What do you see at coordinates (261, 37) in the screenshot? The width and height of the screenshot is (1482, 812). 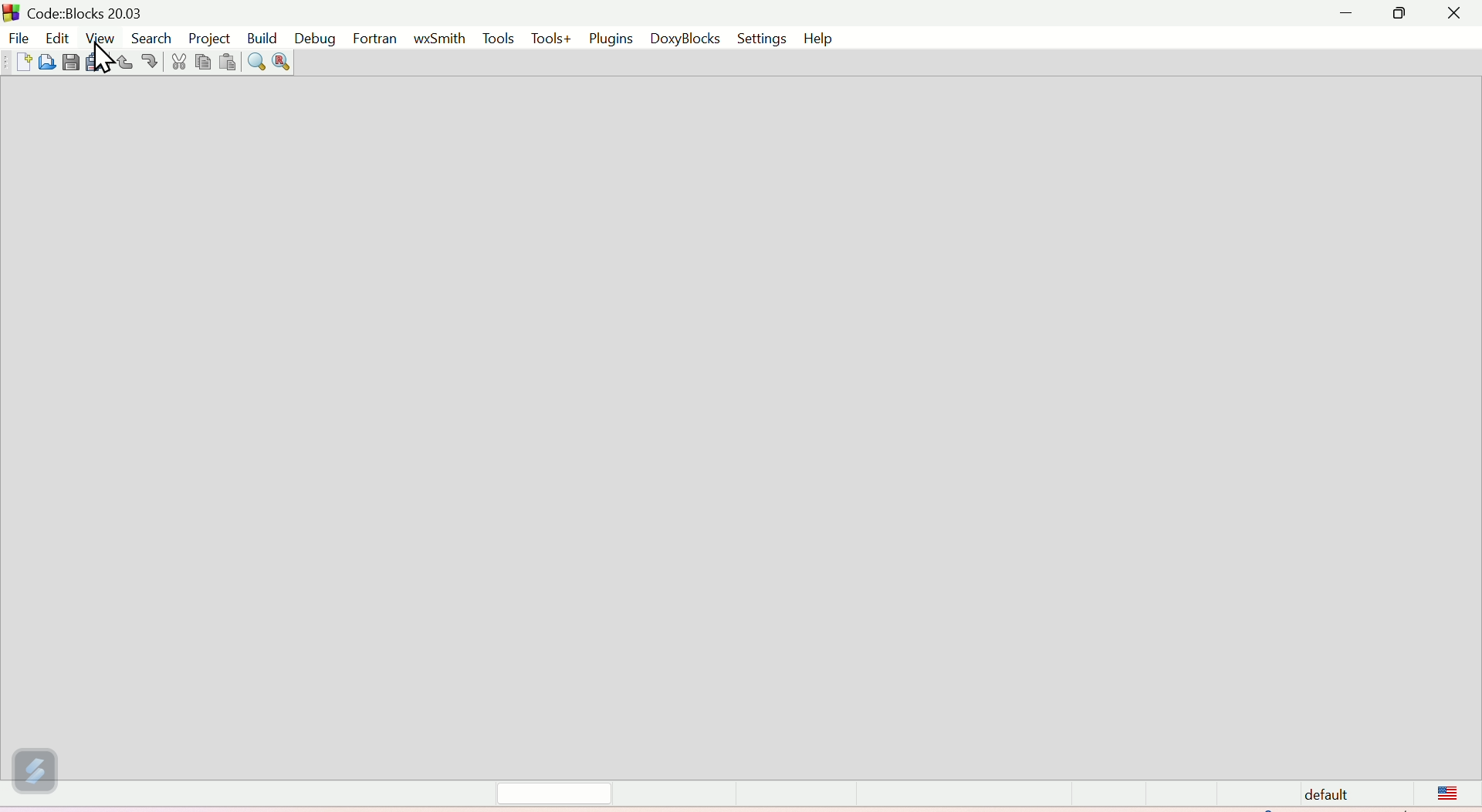 I see `Build` at bounding box center [261, 37].